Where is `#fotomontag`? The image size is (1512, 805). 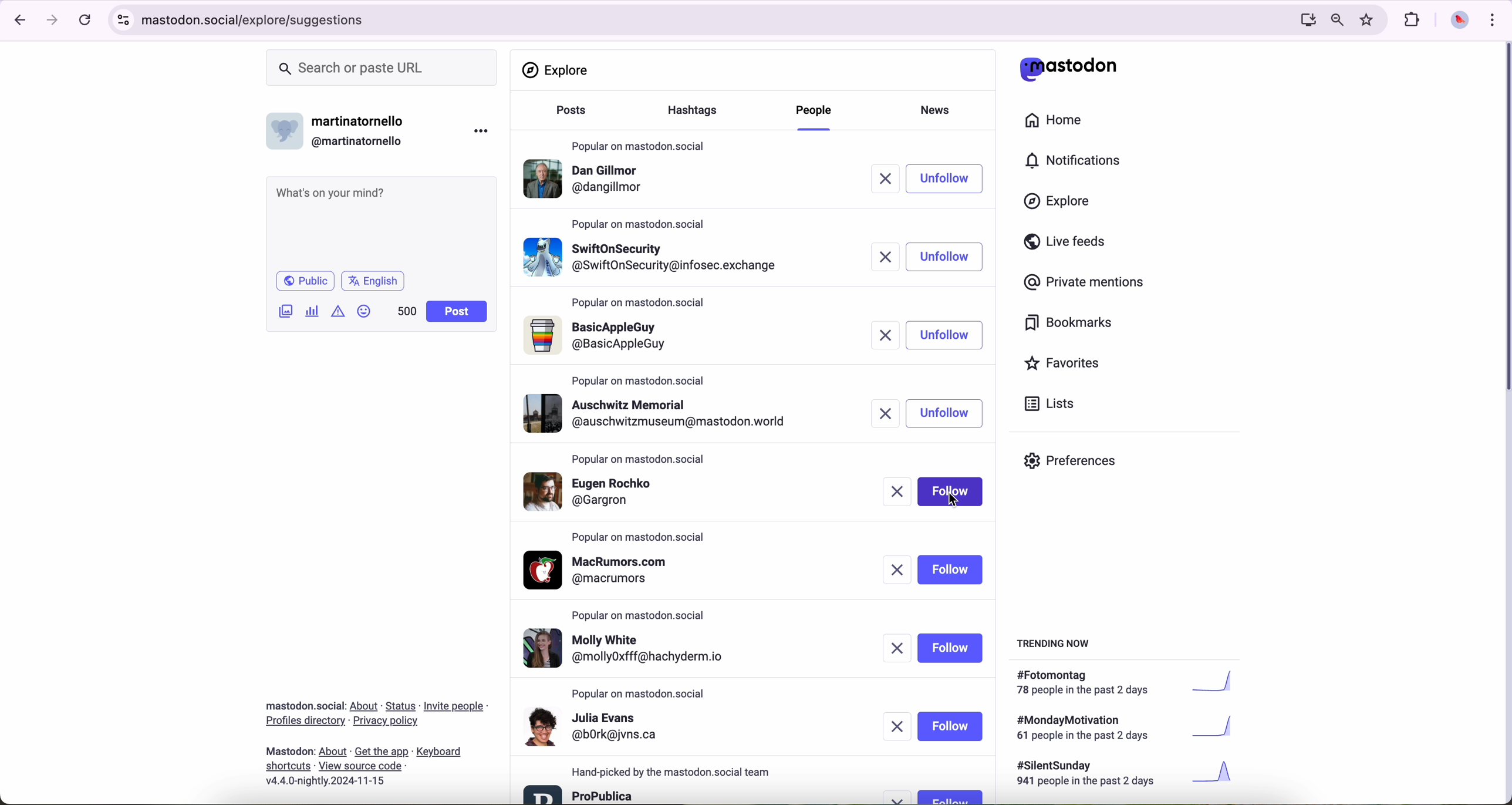 #fotomontag is located at coordinates (1133, 683).